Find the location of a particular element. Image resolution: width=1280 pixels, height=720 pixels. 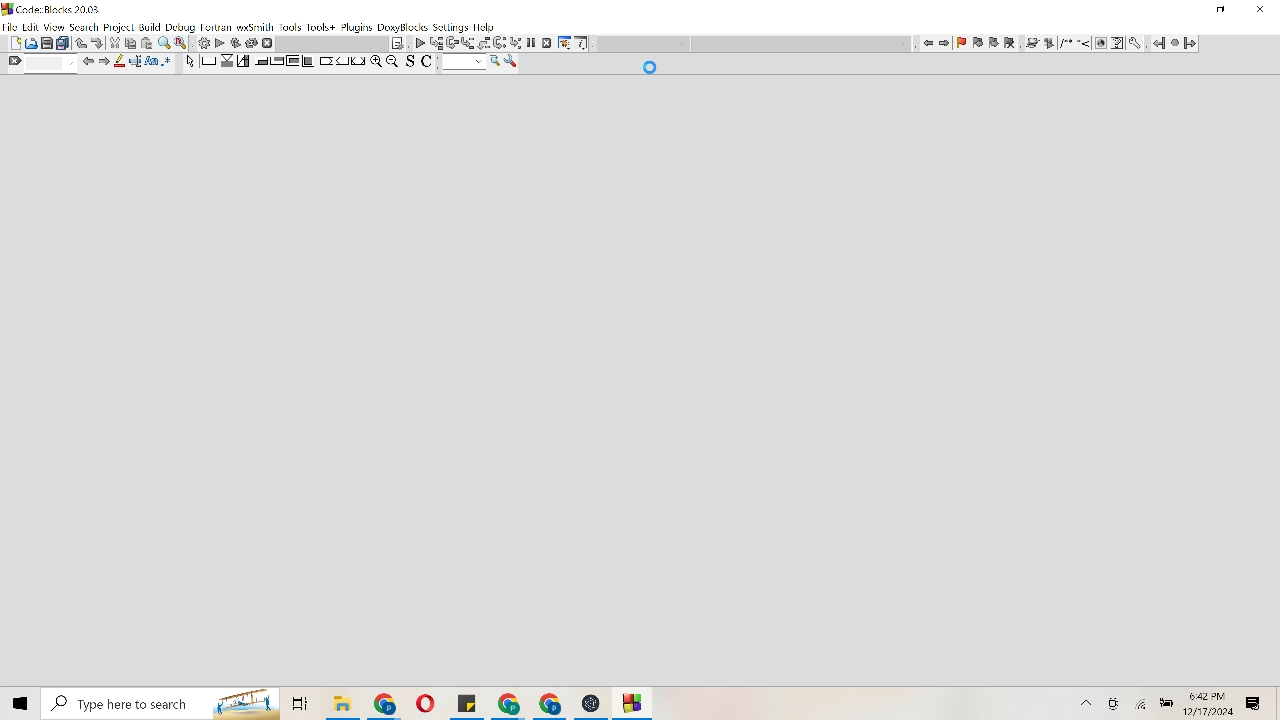

Save and copy is located at coordinates (423, 63).